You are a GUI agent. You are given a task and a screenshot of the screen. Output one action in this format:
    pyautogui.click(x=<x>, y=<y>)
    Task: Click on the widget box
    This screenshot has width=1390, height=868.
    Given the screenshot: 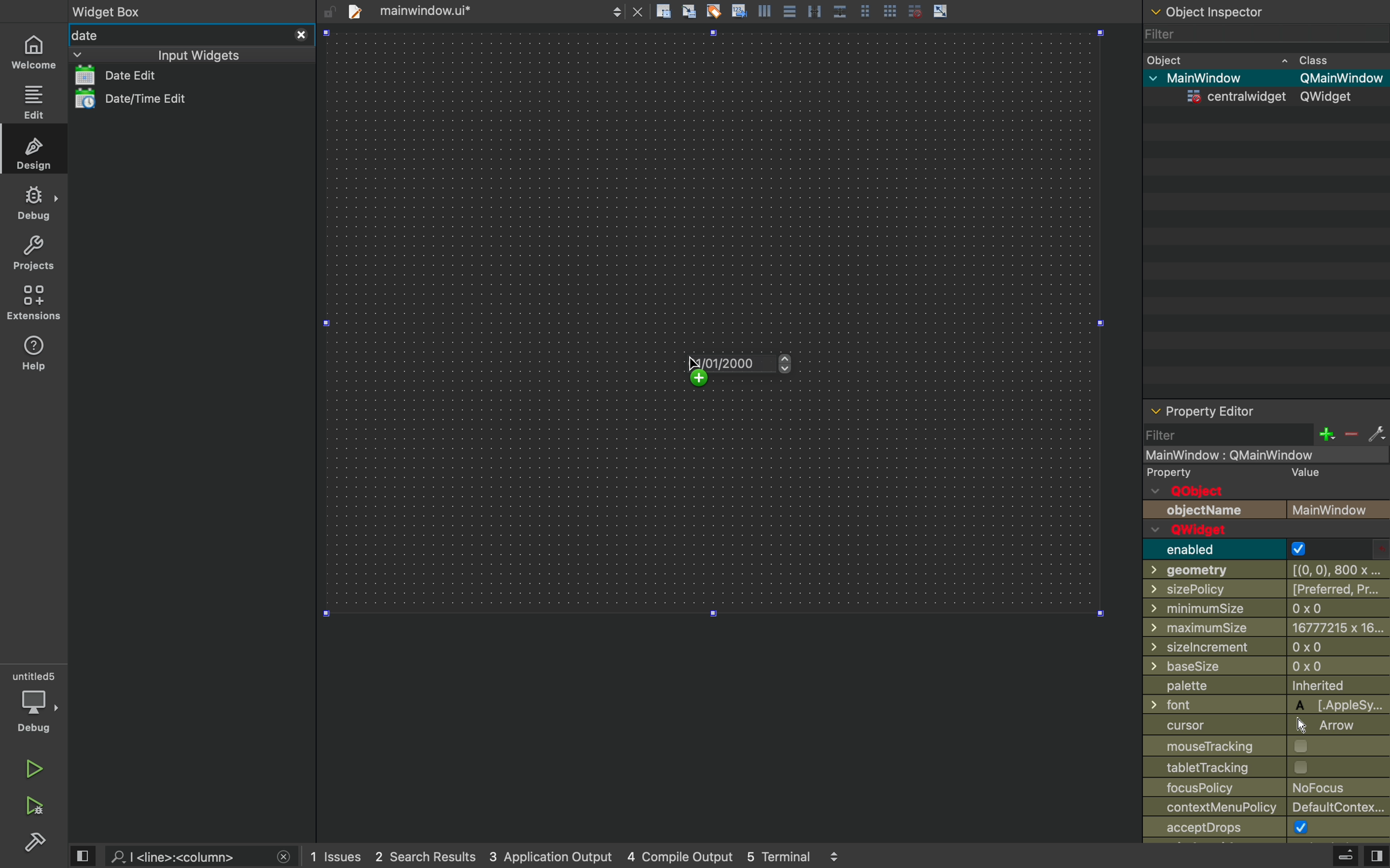 What is the action you would take?
    pyautogui.click(x=111, y=10)
    